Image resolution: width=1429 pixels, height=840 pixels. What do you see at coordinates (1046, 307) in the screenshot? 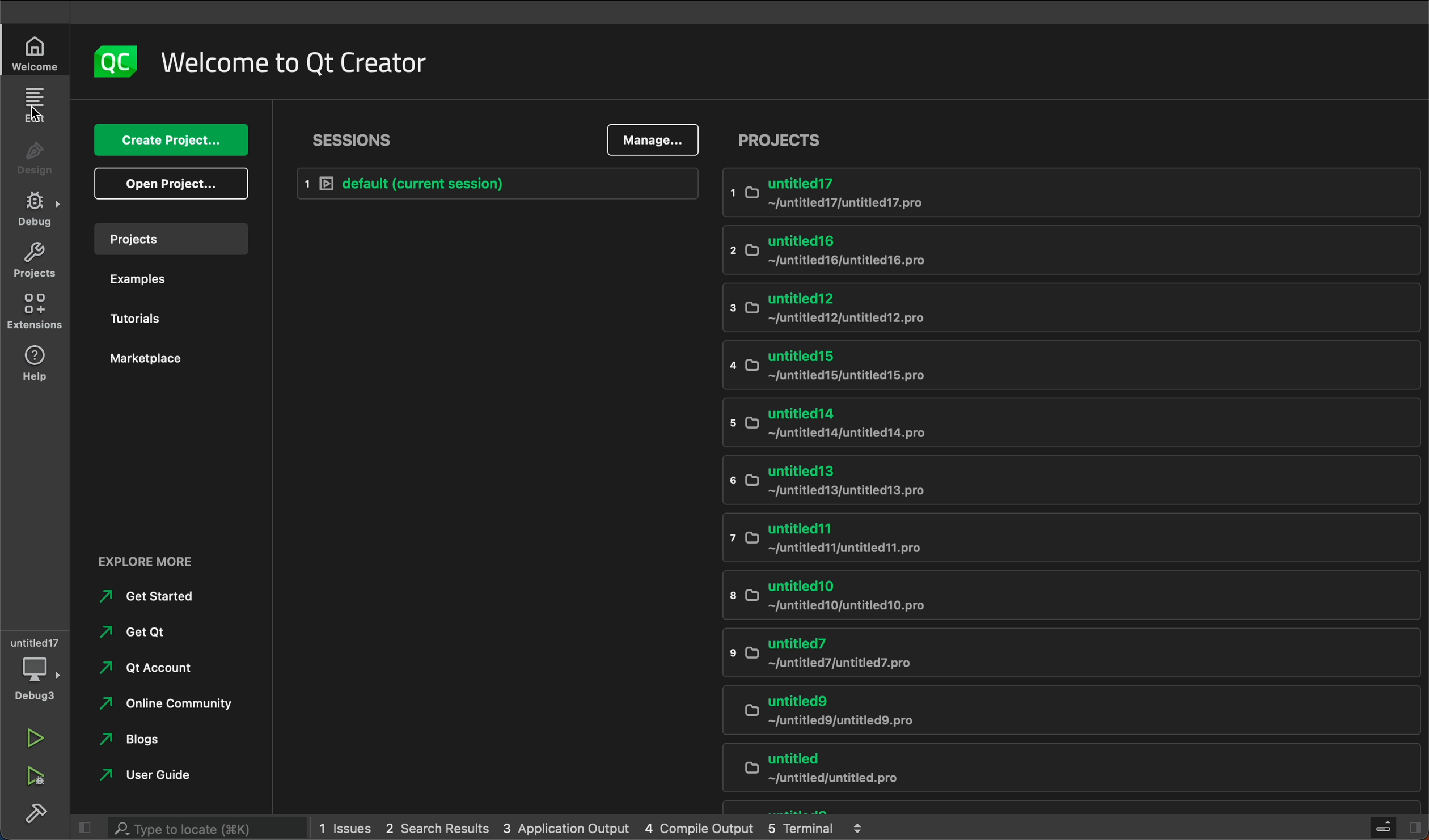
I see `untitled12` at bounding box center [1046, 307].